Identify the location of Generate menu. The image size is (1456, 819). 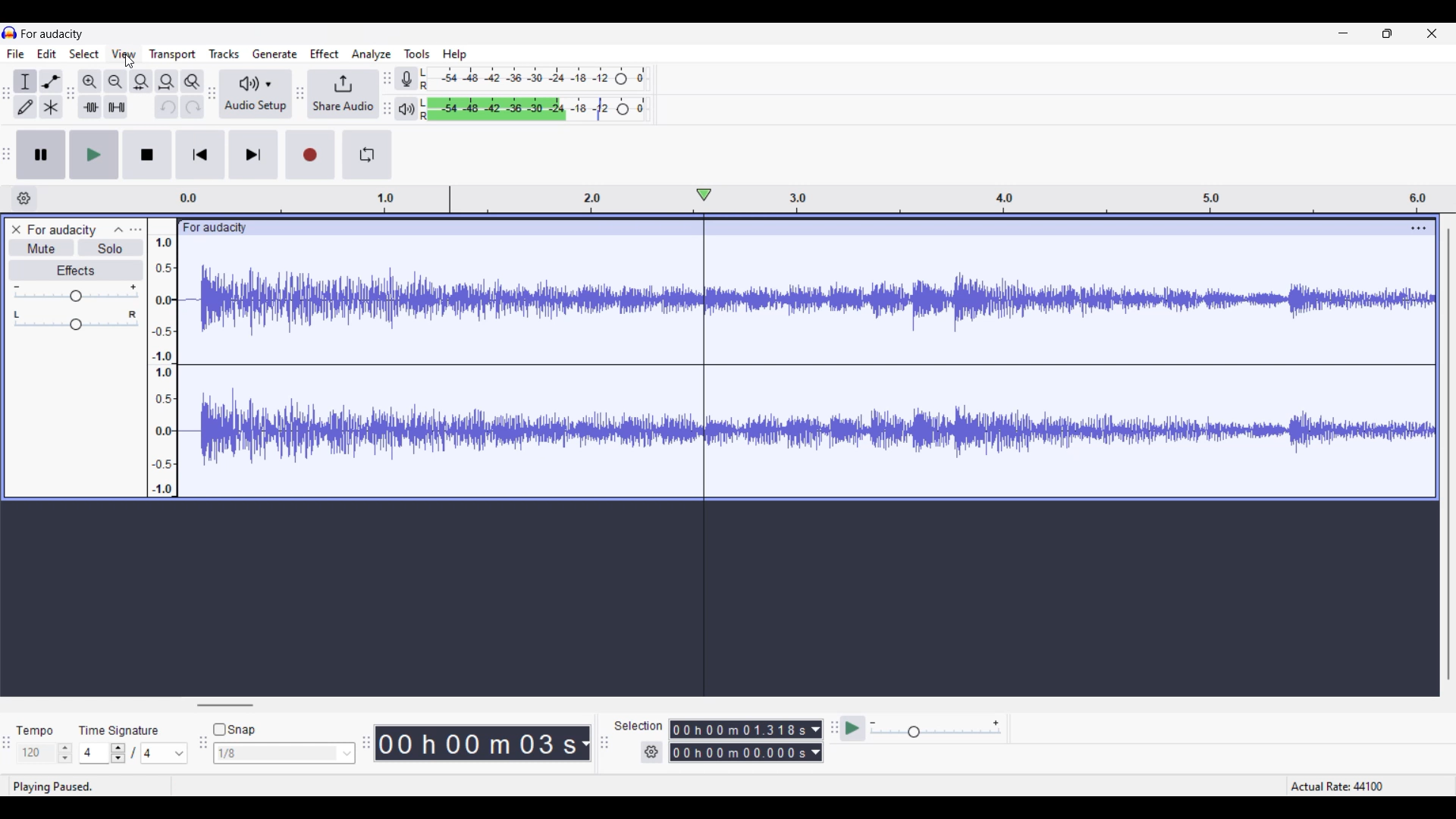
(275, 53).